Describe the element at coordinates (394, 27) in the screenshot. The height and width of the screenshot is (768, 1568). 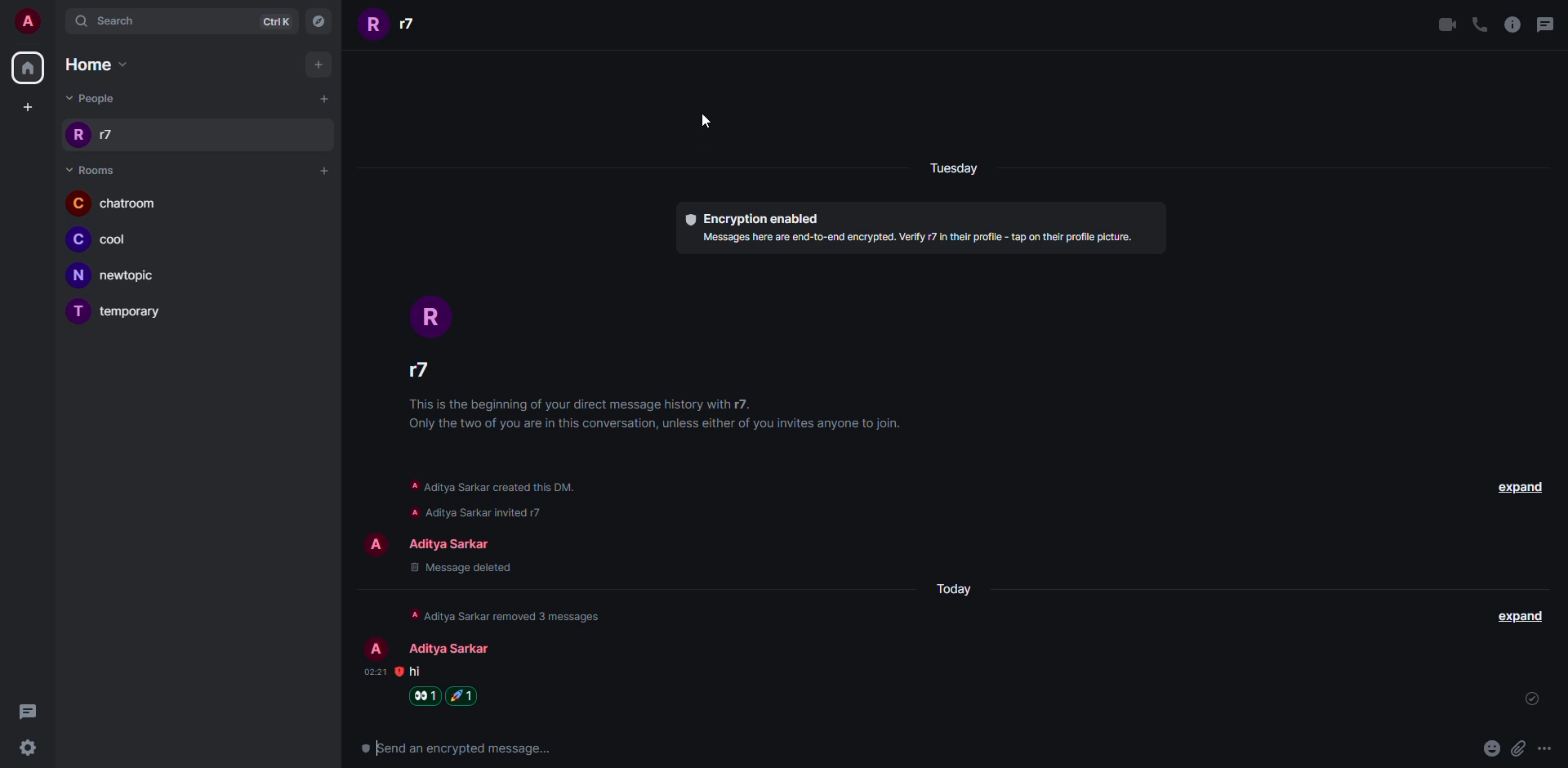
I see `people` at that location.